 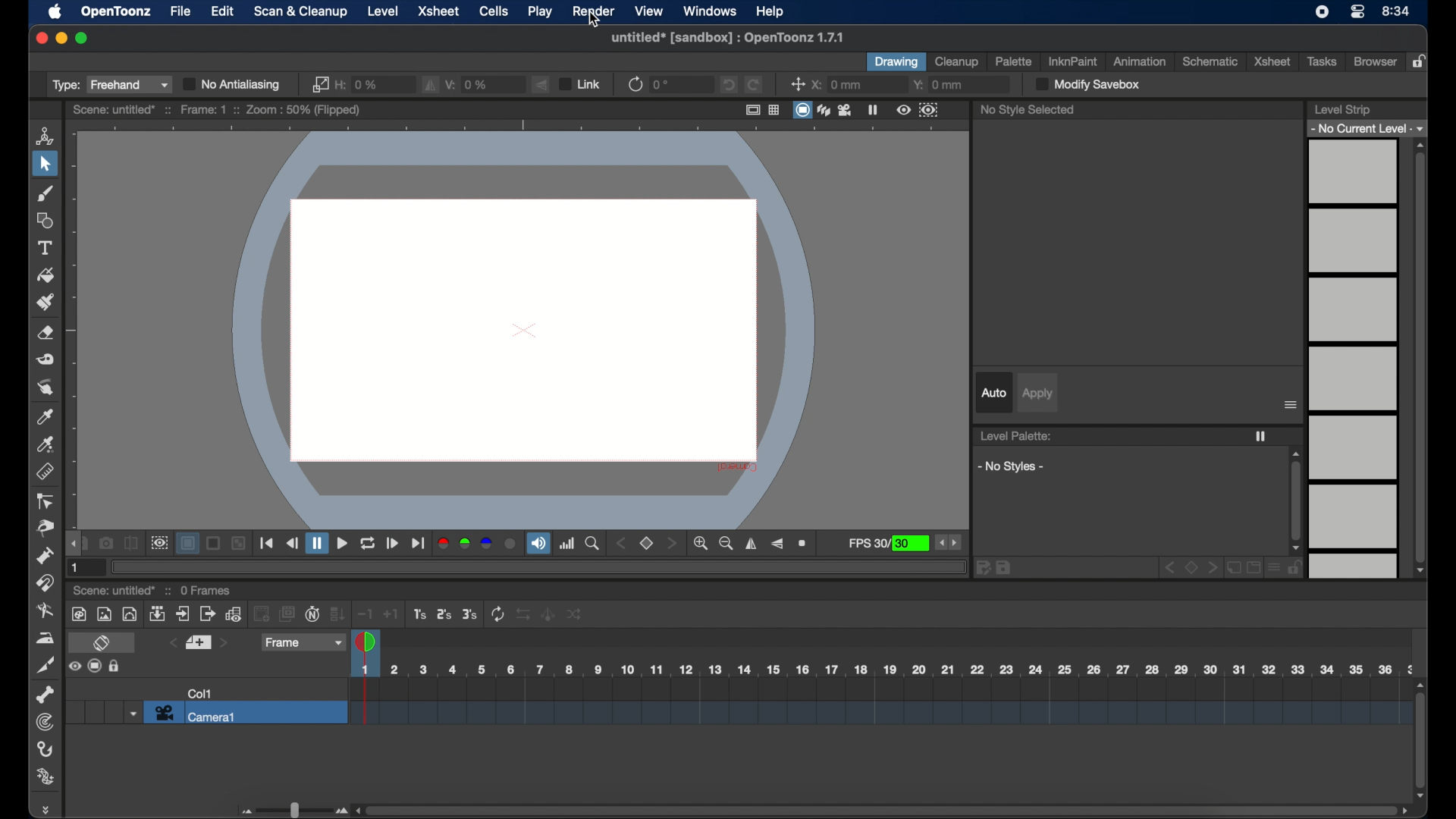 What do you see at coordinates (579, 83) in the screenshot?
I see `link` at bounding box center [579, 83].